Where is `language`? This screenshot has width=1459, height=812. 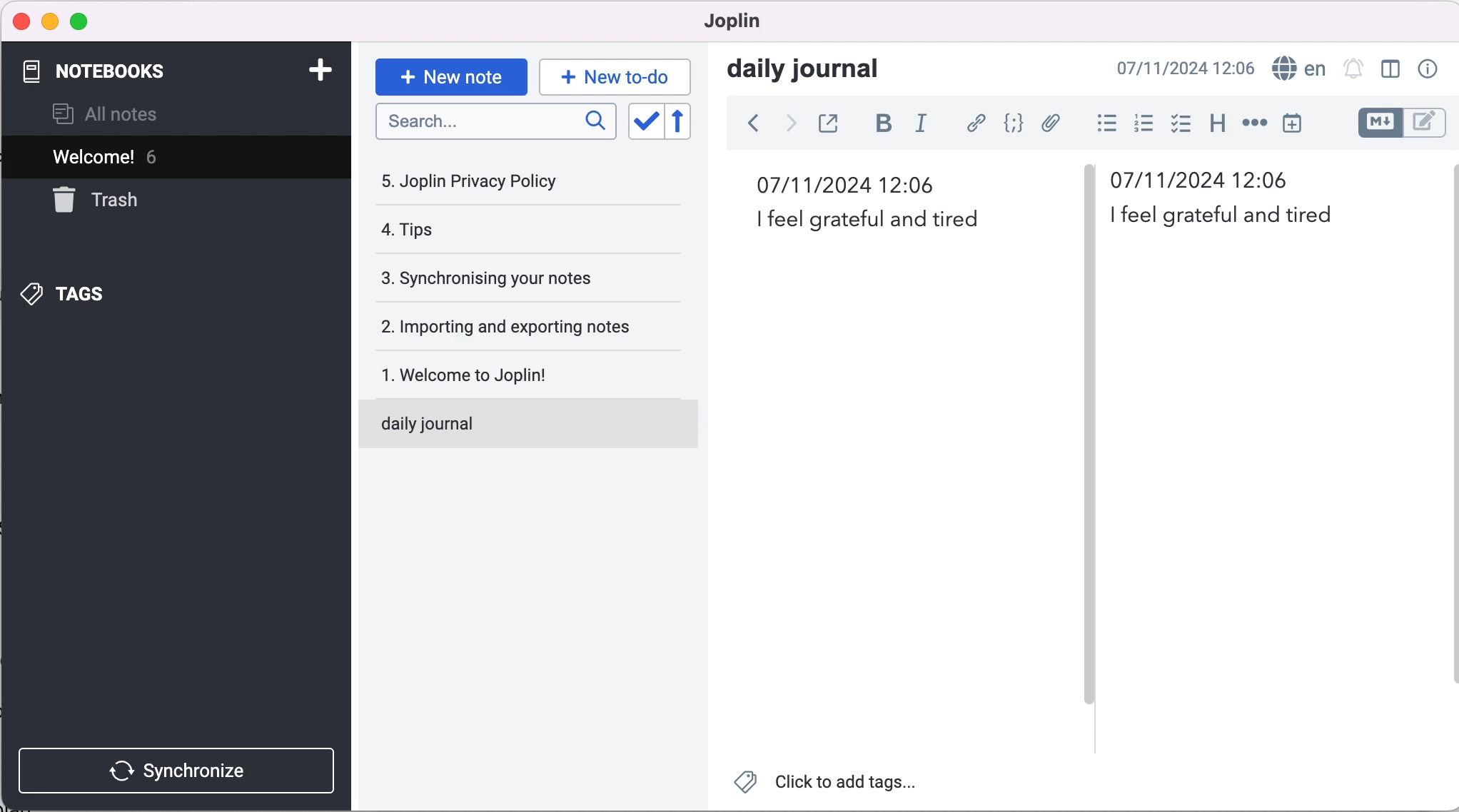
language is located at coordinates (1298, 70).